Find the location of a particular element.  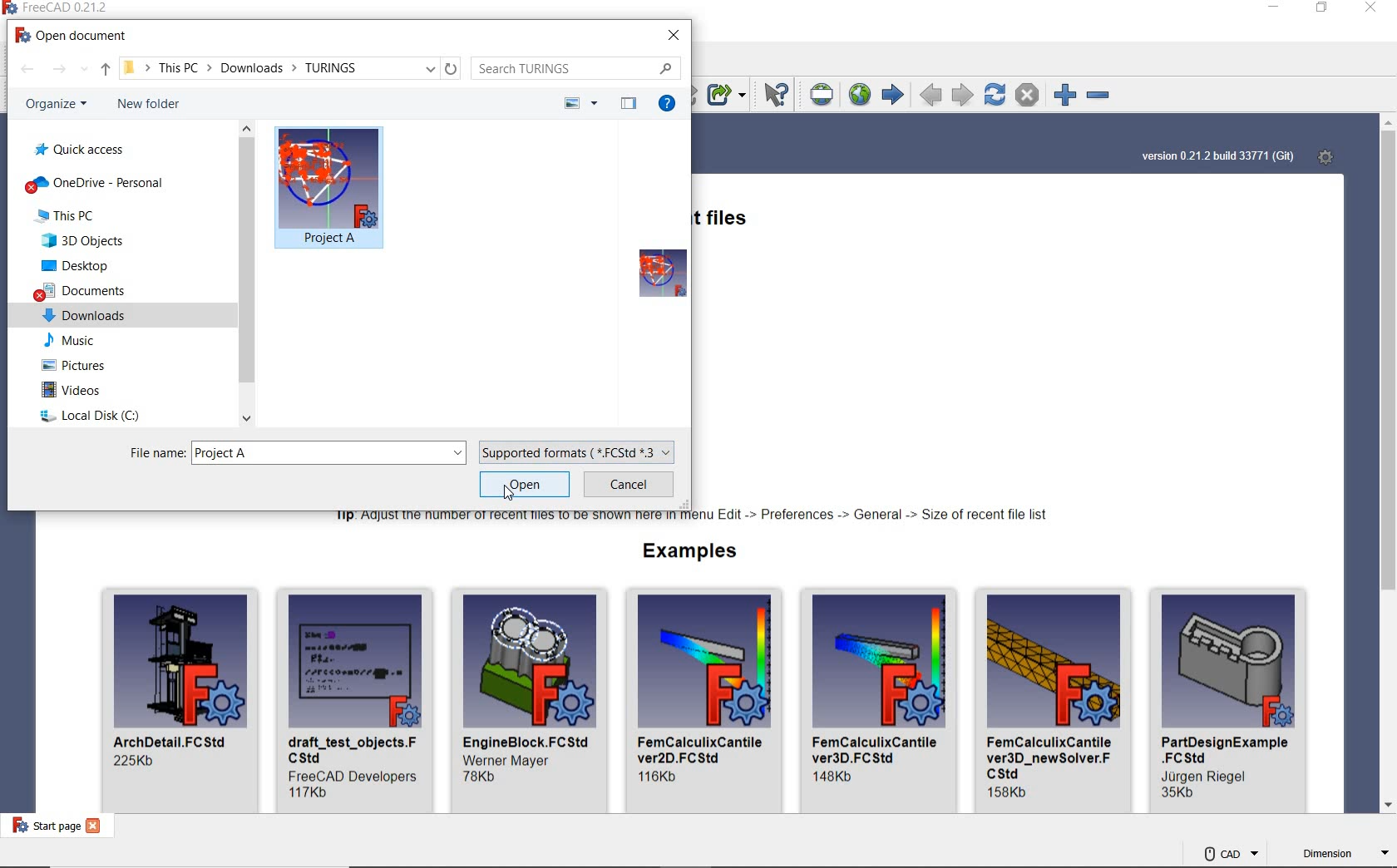

local disk C is located at coordinates (91, 413).